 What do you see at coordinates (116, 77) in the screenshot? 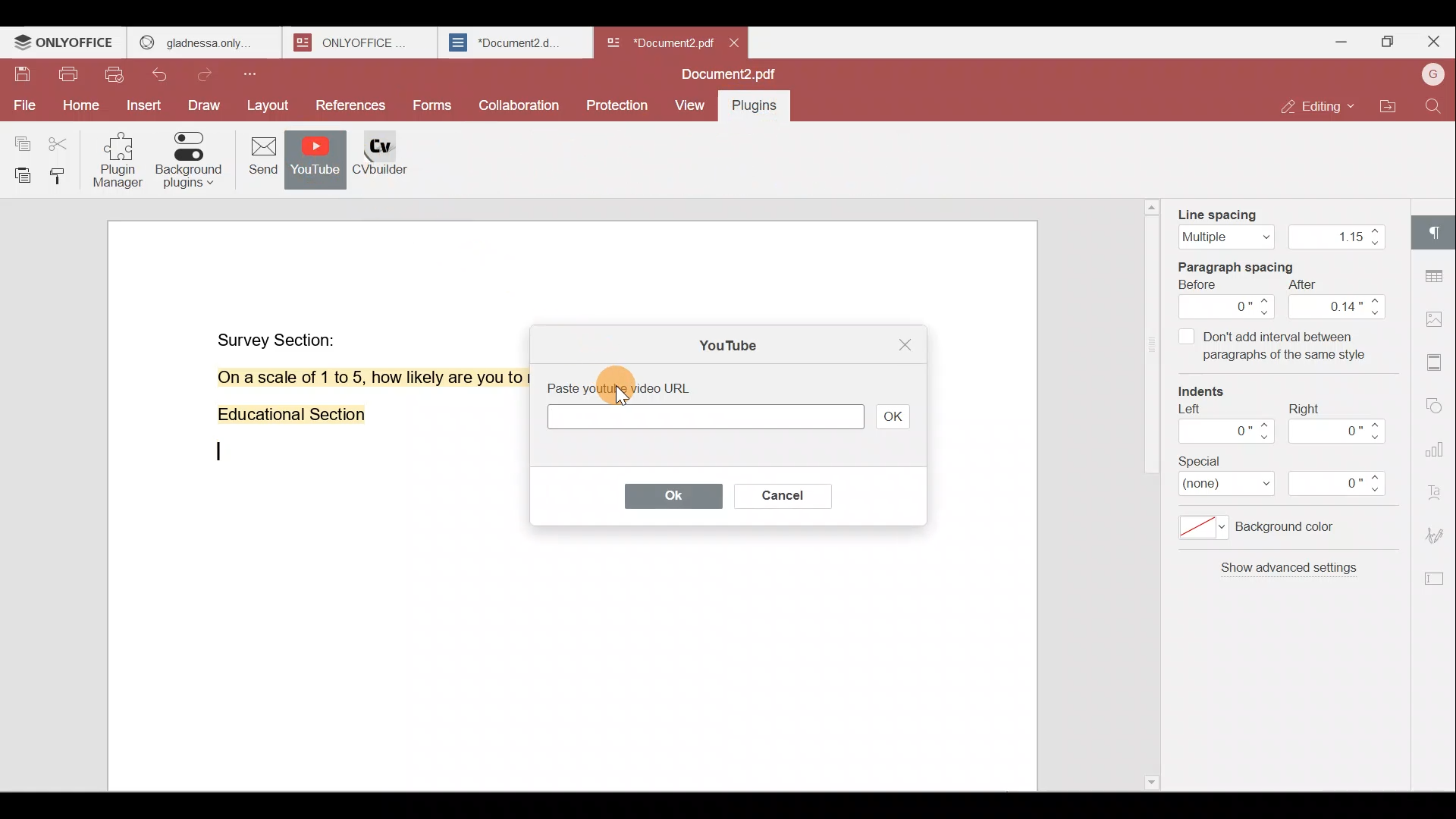
I see `Quick print` at bounding box center [116, 77].